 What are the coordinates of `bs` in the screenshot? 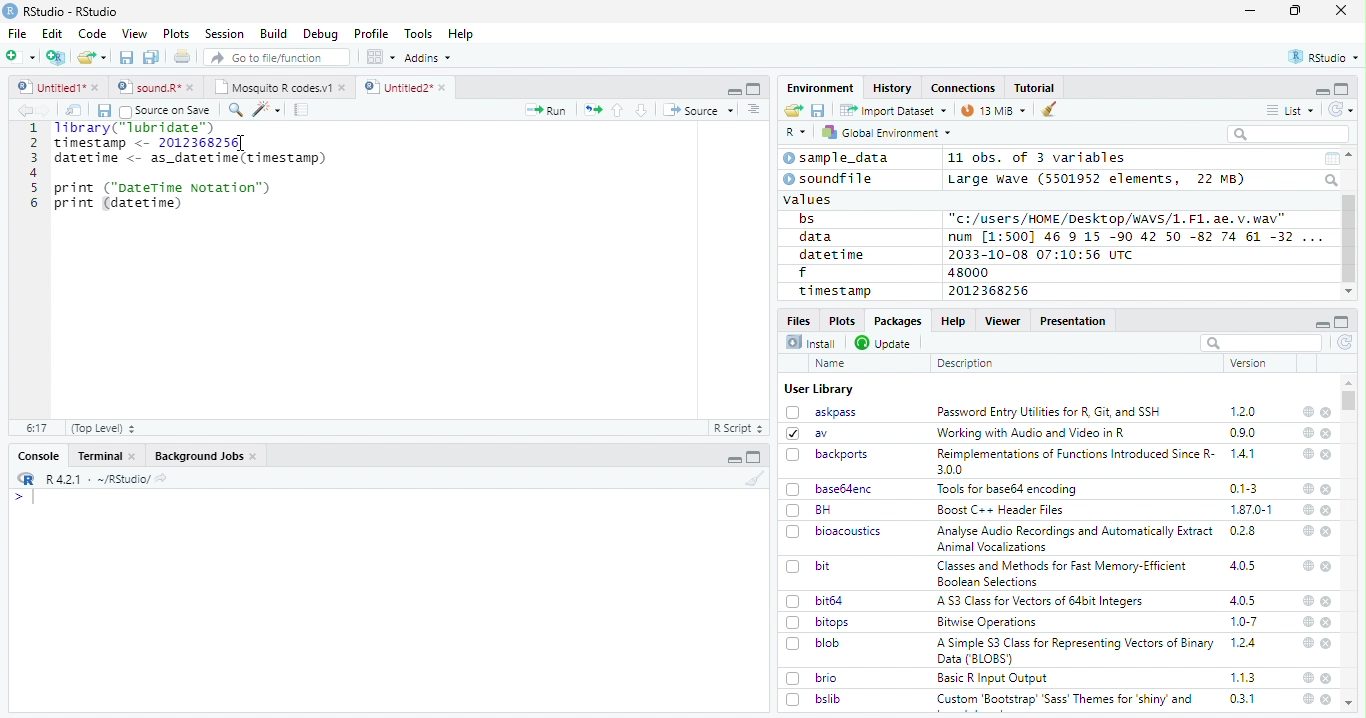 It's located at (807, 219).